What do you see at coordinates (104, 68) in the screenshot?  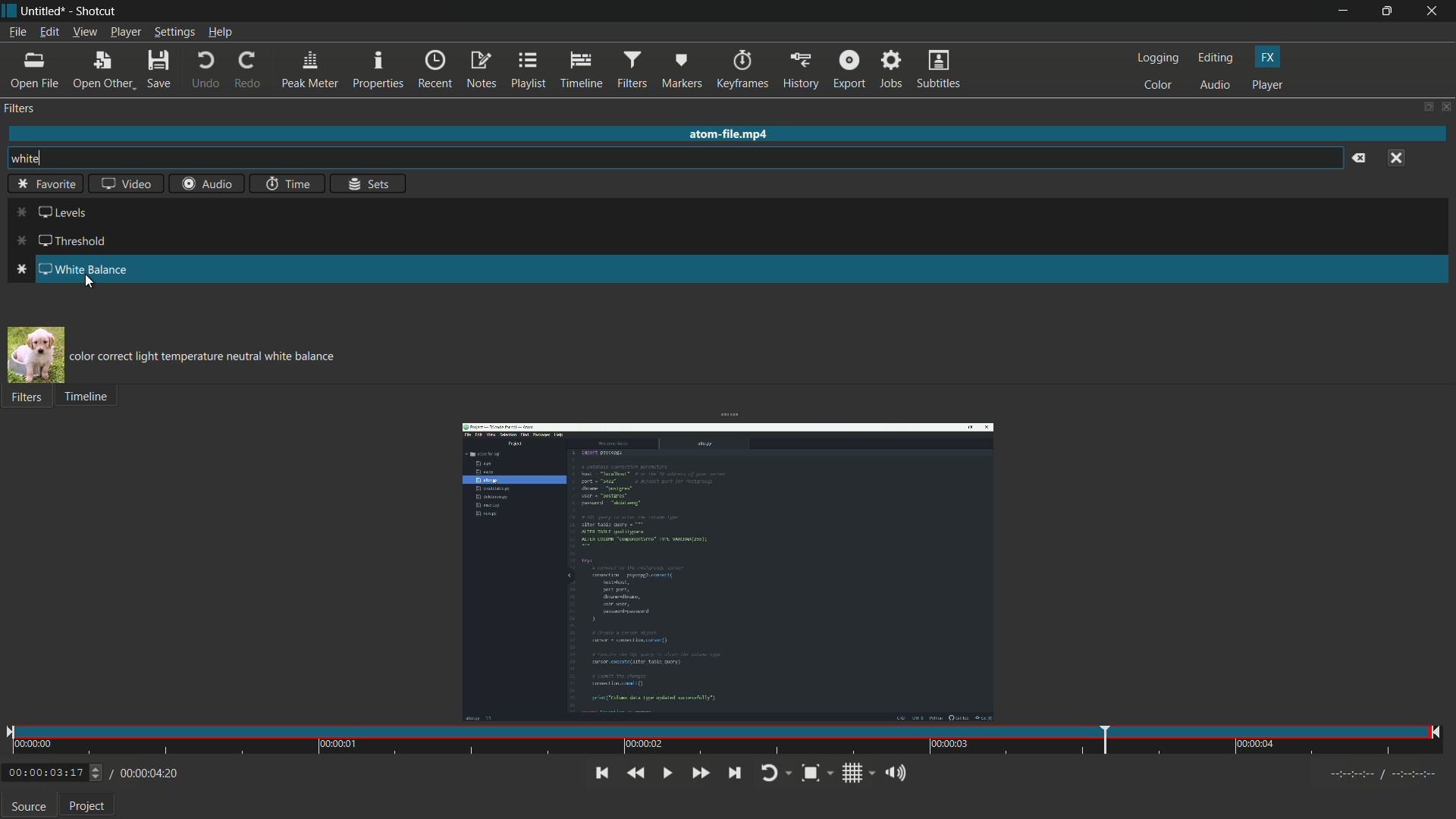 I see `open other` at bounding box center [104, 68].